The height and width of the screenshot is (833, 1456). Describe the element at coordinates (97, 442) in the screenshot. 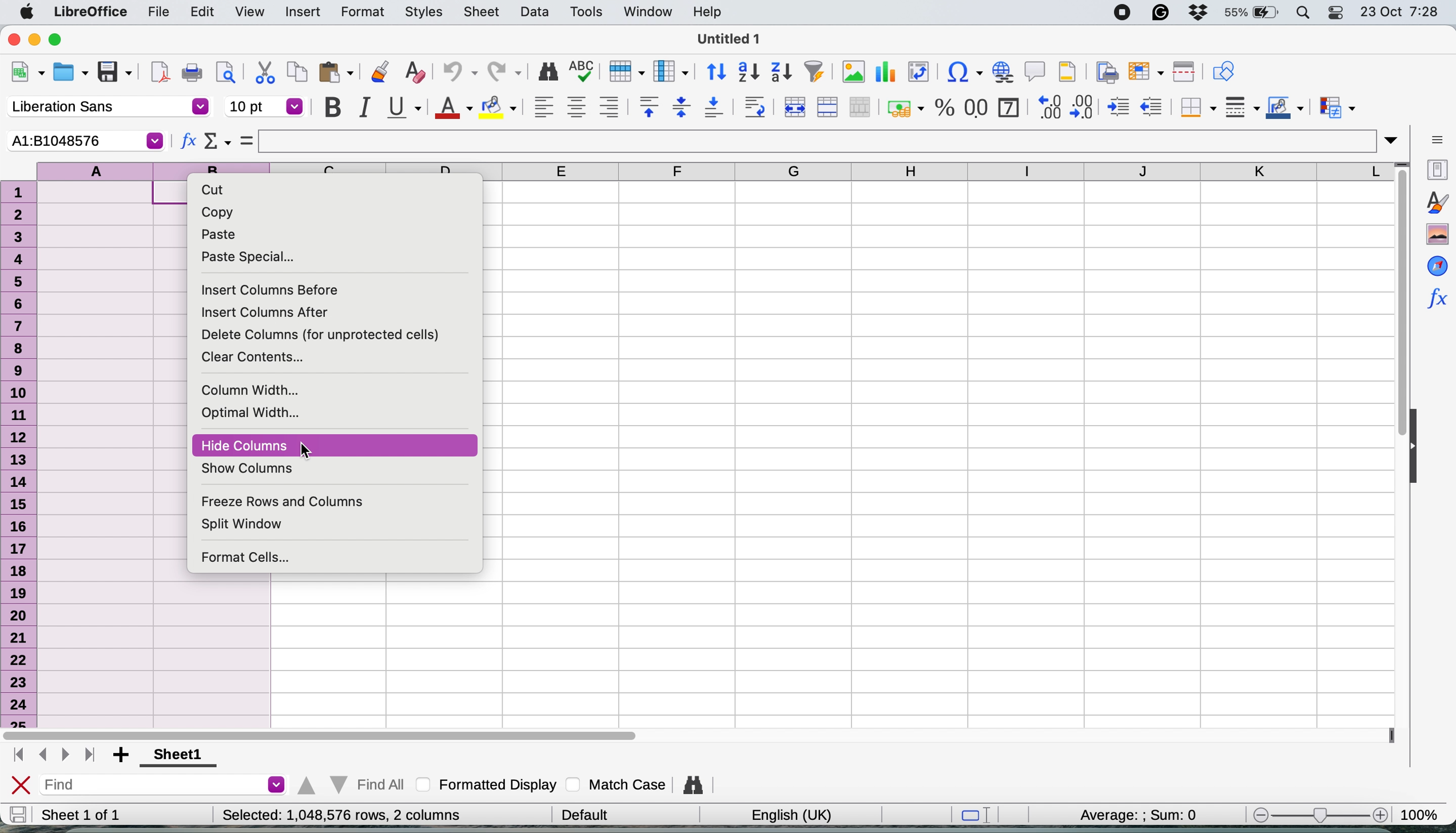

I see `select columns` at that location.